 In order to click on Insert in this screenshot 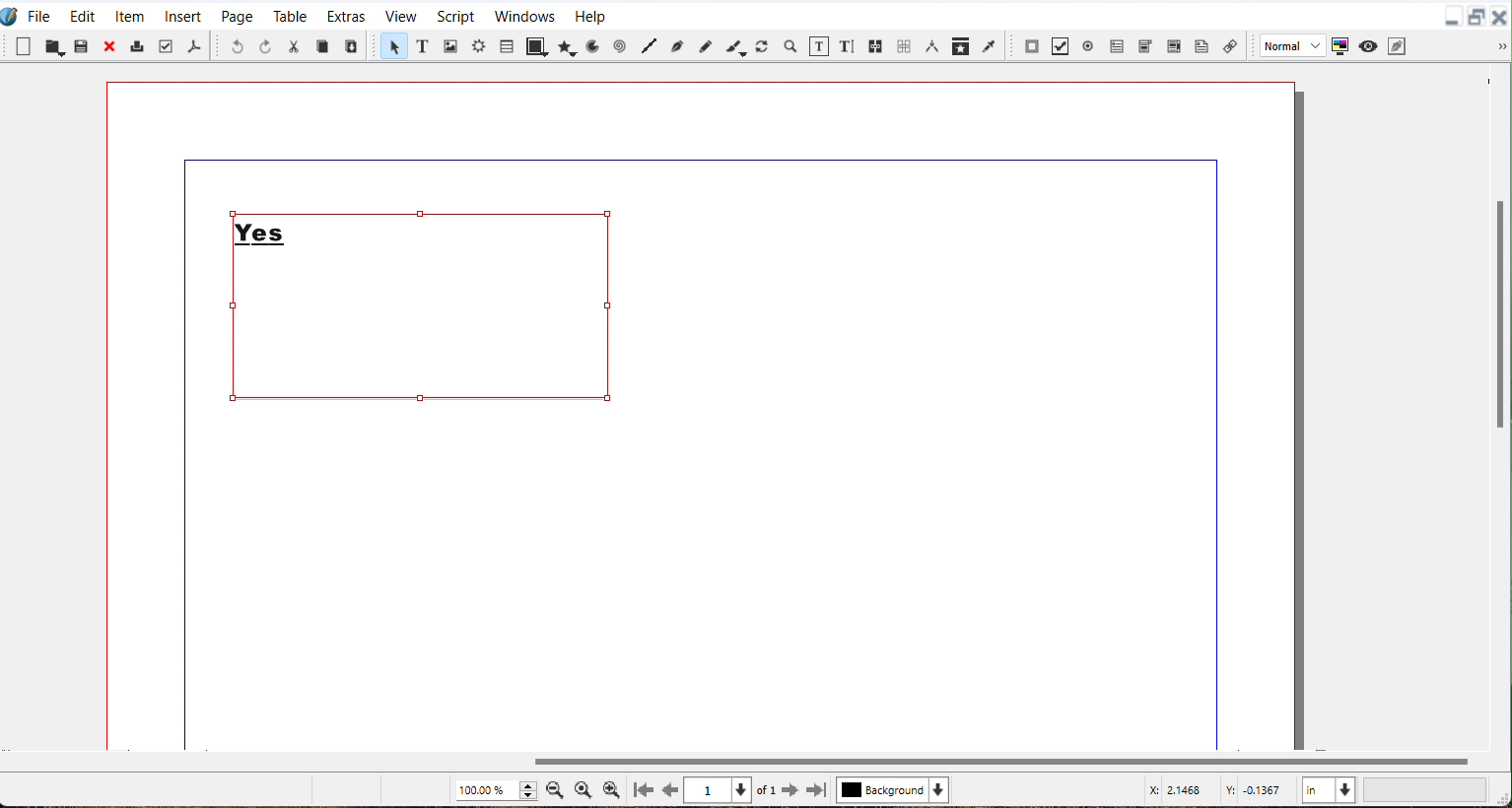, I will do `click(183, 15)`.